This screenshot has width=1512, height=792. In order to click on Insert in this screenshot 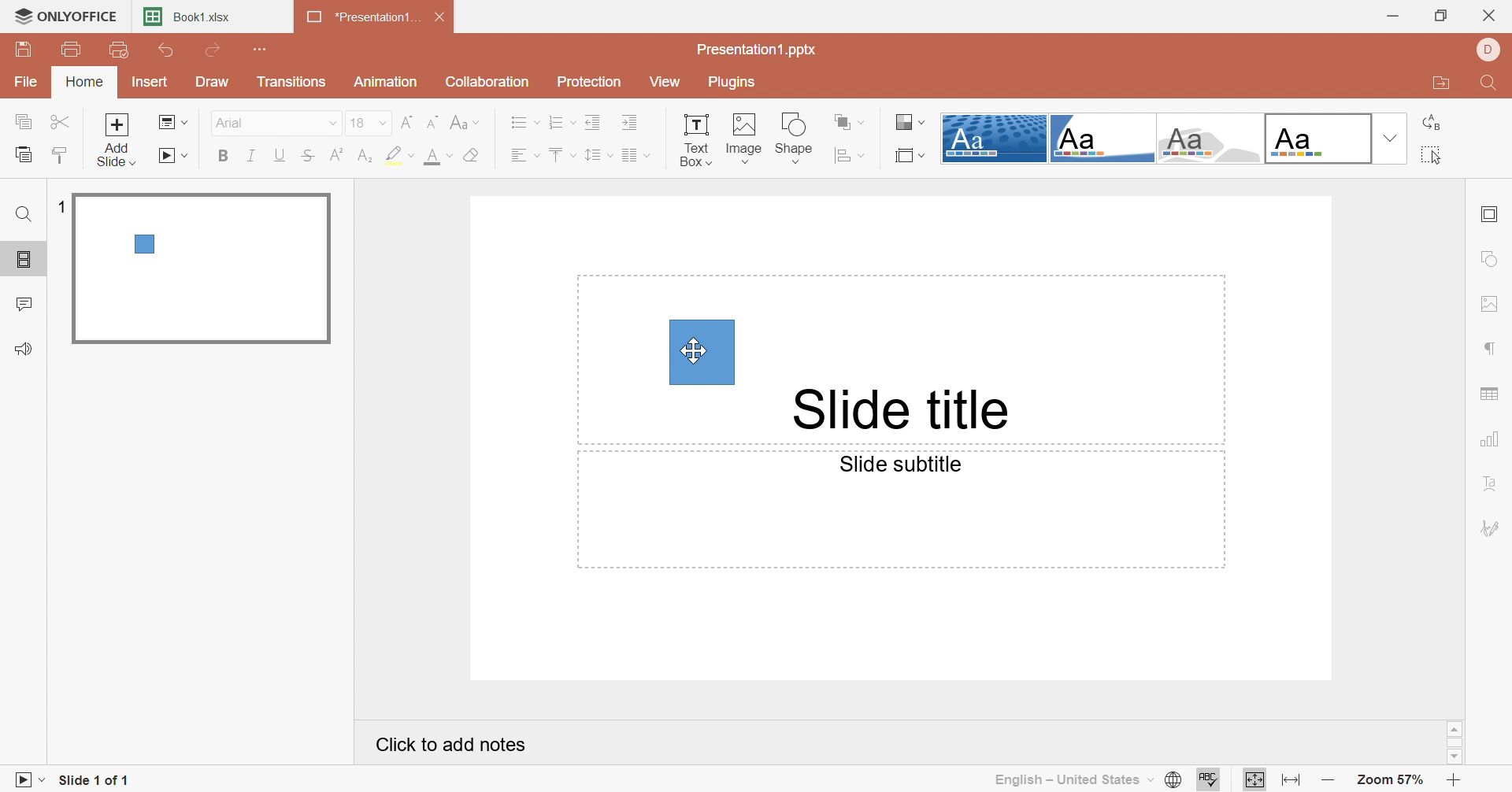, I will do `click(150, 86)`.